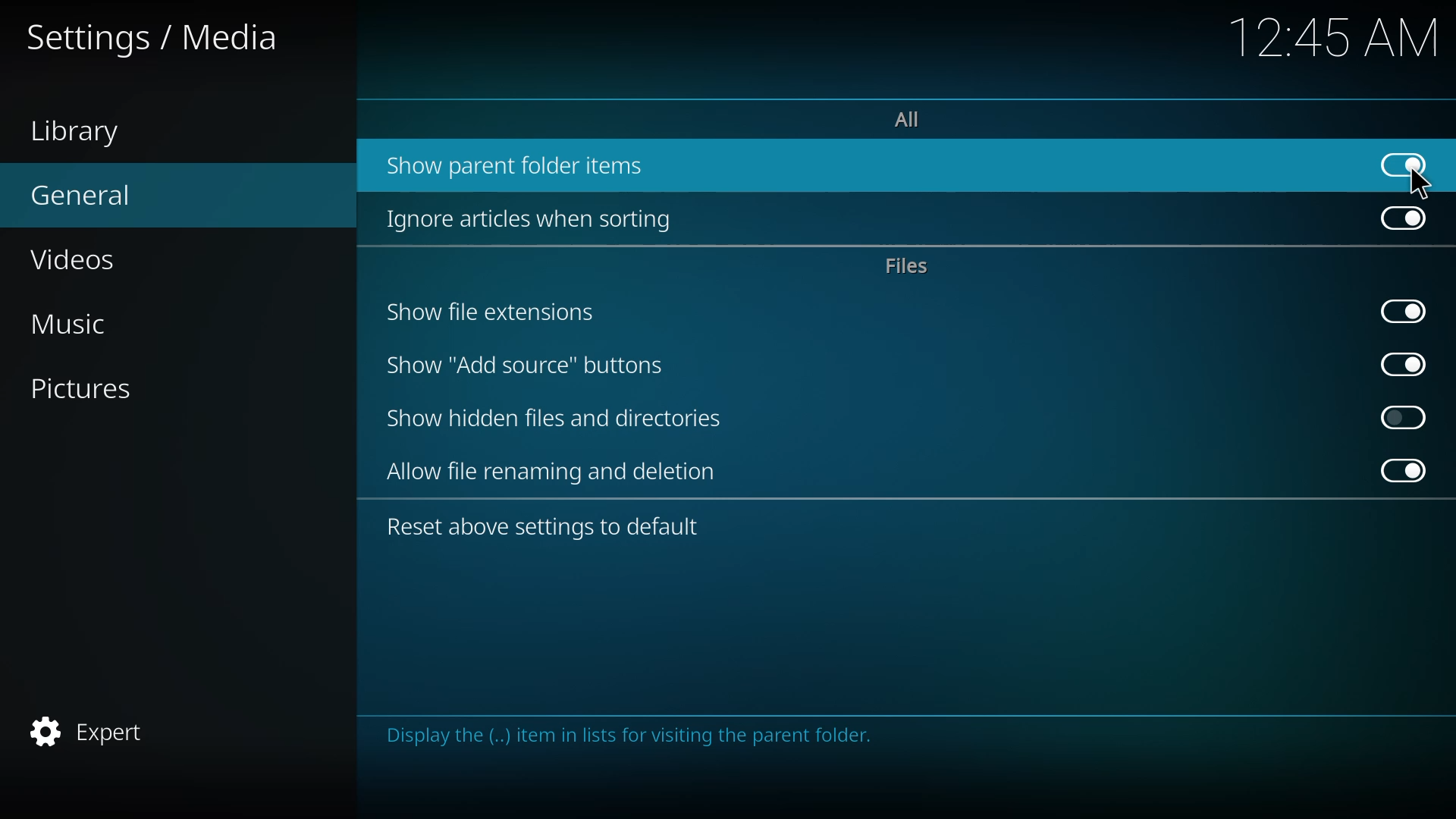 Image resolution: width=1456 pixels, height=819 pixels. I want to click on show hidden files and directories, so click(552, 419).